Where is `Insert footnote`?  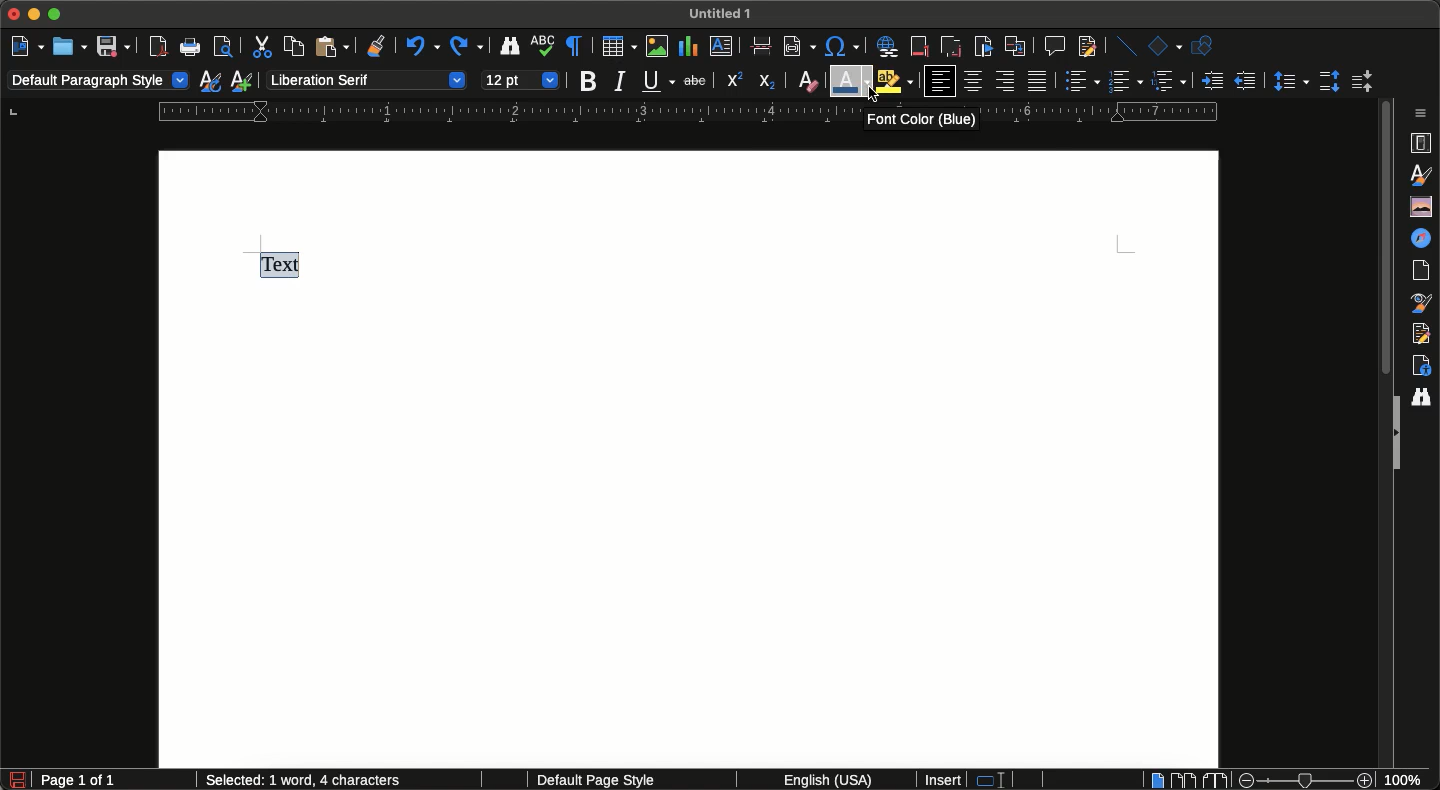 Insert footnote is located at coordinates (920, 48).